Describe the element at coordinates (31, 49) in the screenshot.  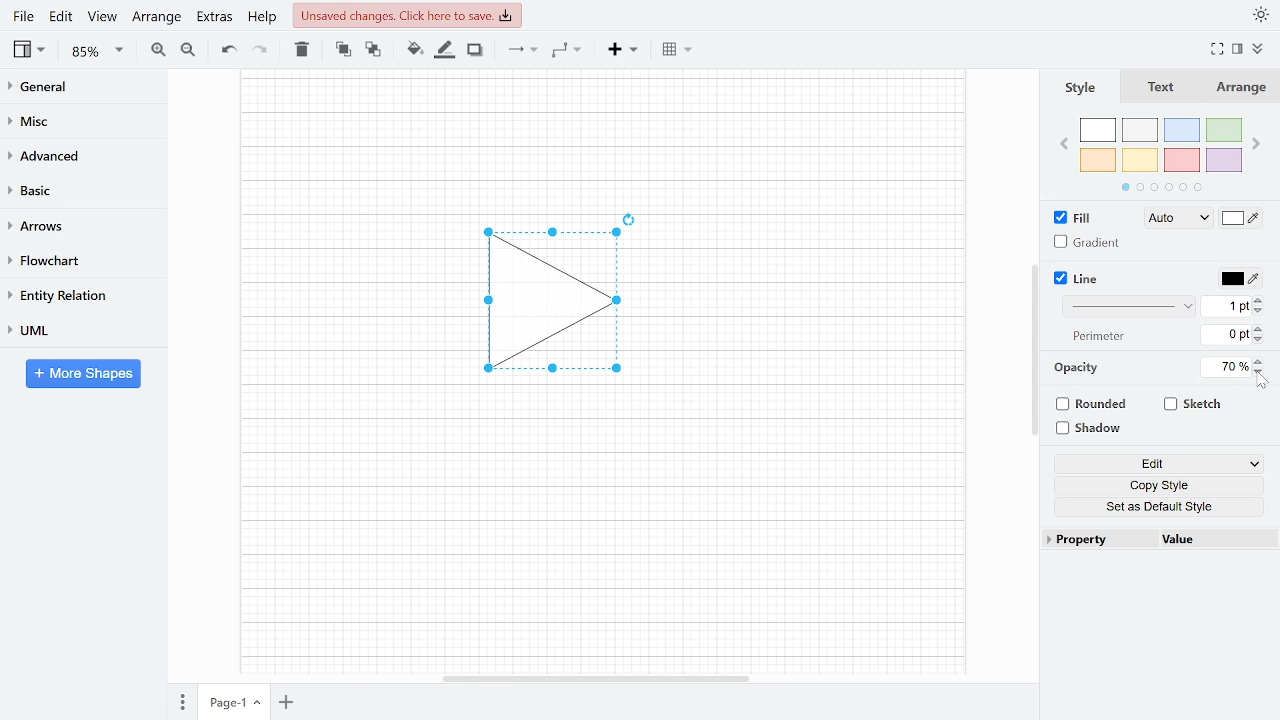
I see `View` at that location.